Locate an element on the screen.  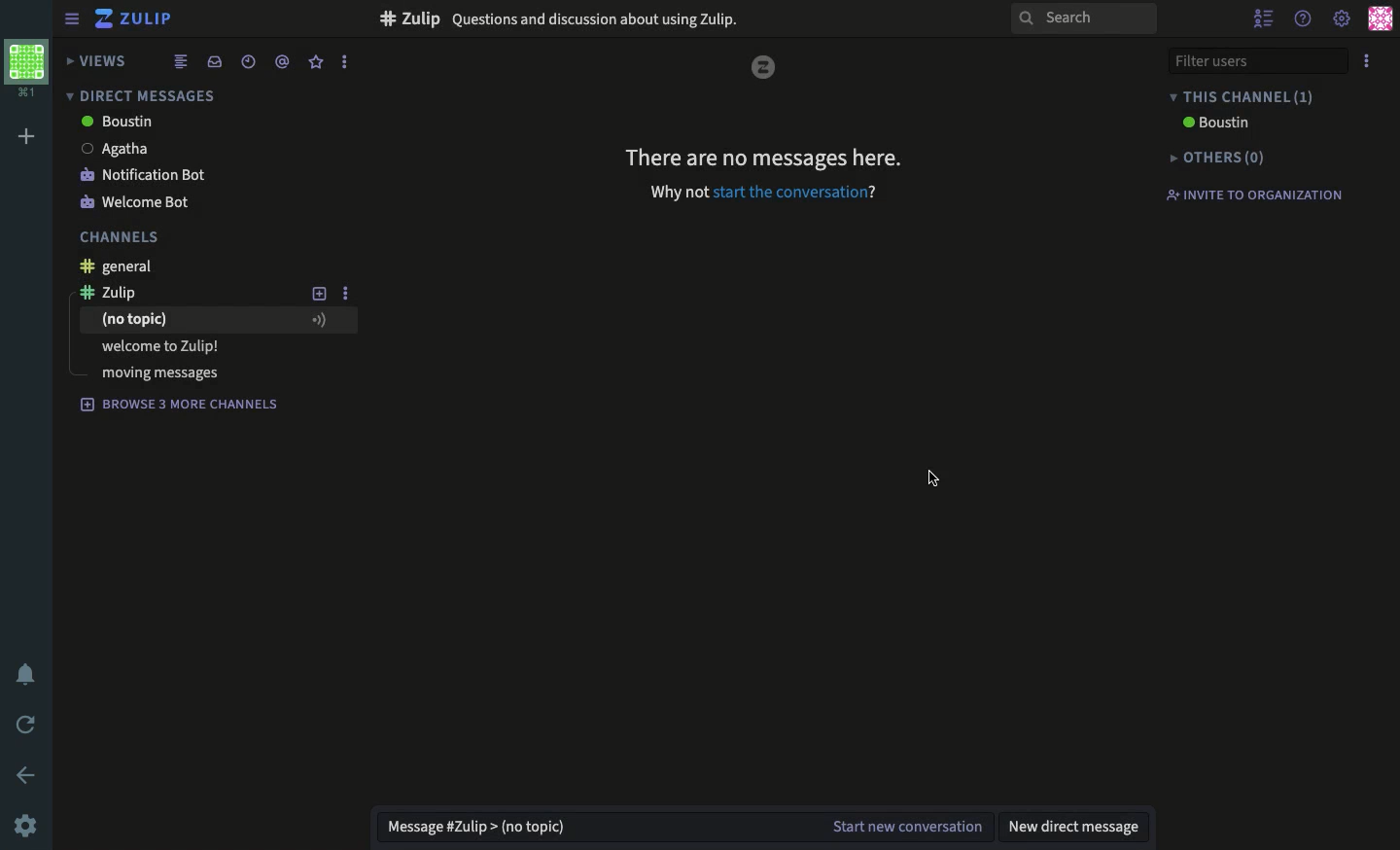
settings  is located at coordinates (1342, 20).